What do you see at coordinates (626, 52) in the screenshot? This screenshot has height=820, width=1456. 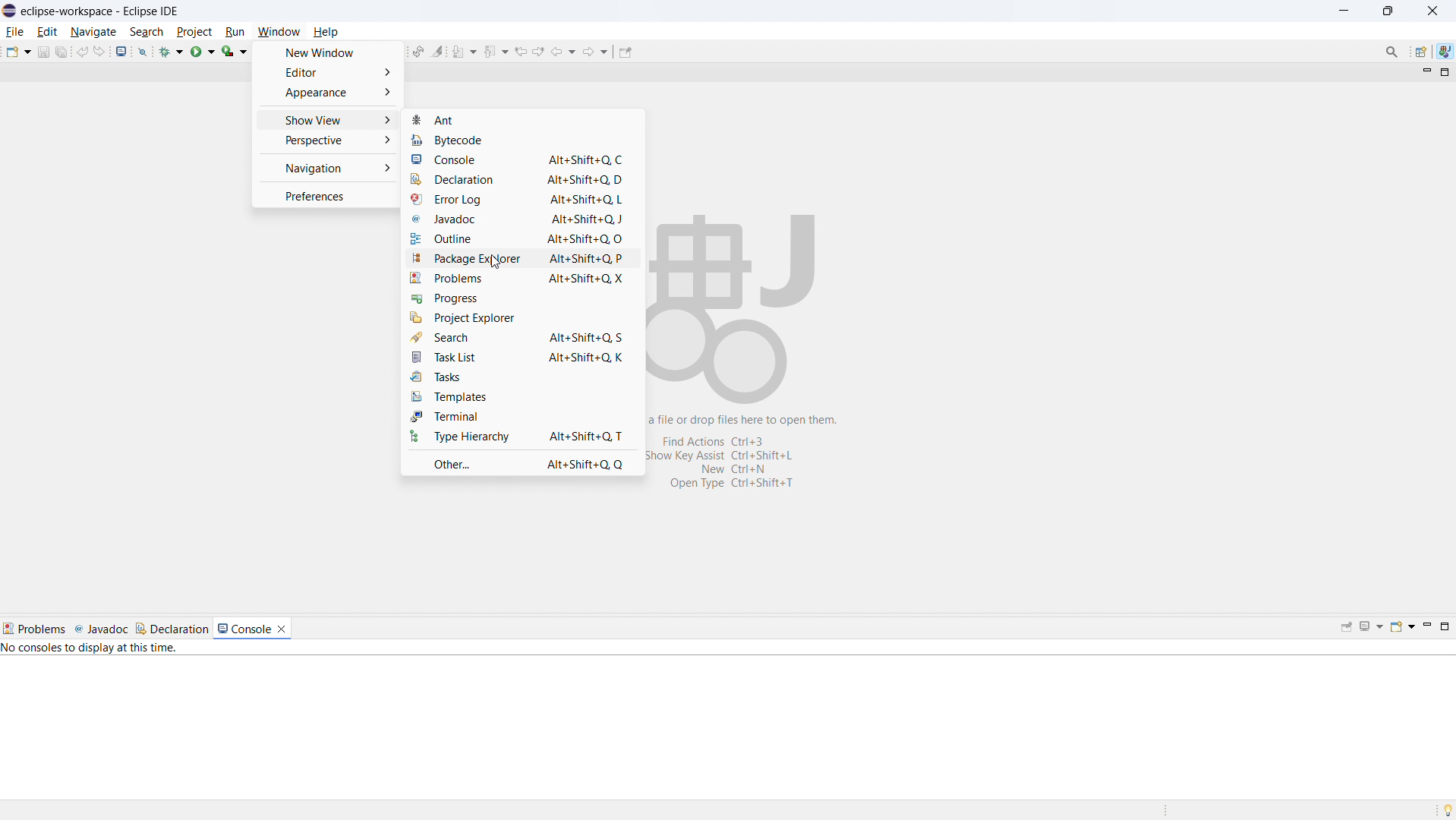 I see `pin editor` at bounding box center [626, 52].